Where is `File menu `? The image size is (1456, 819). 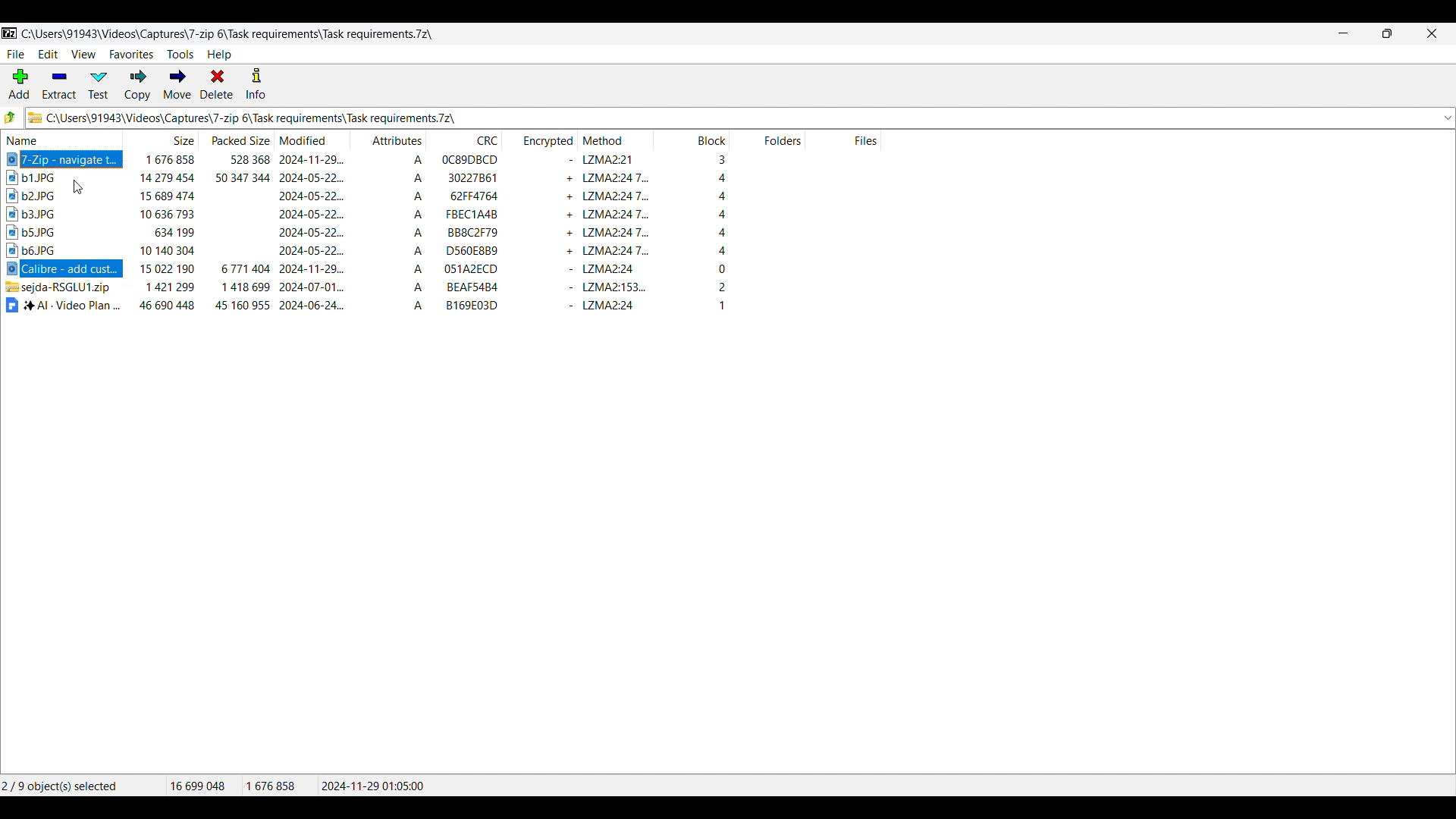
File menu  is located at coordinates (15, 54).